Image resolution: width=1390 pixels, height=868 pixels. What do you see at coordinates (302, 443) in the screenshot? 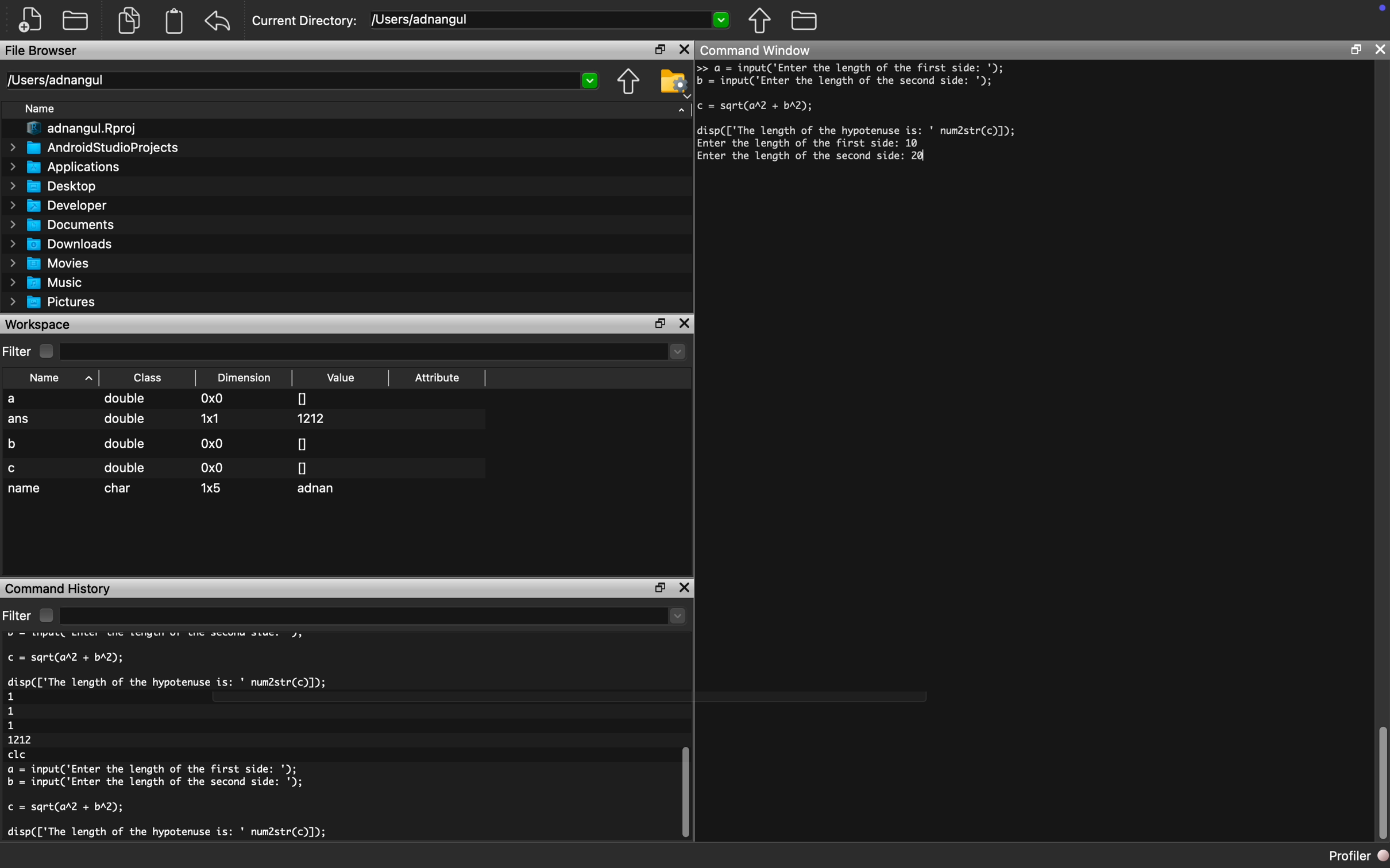
I see `0` at bounding box center [302, 443].